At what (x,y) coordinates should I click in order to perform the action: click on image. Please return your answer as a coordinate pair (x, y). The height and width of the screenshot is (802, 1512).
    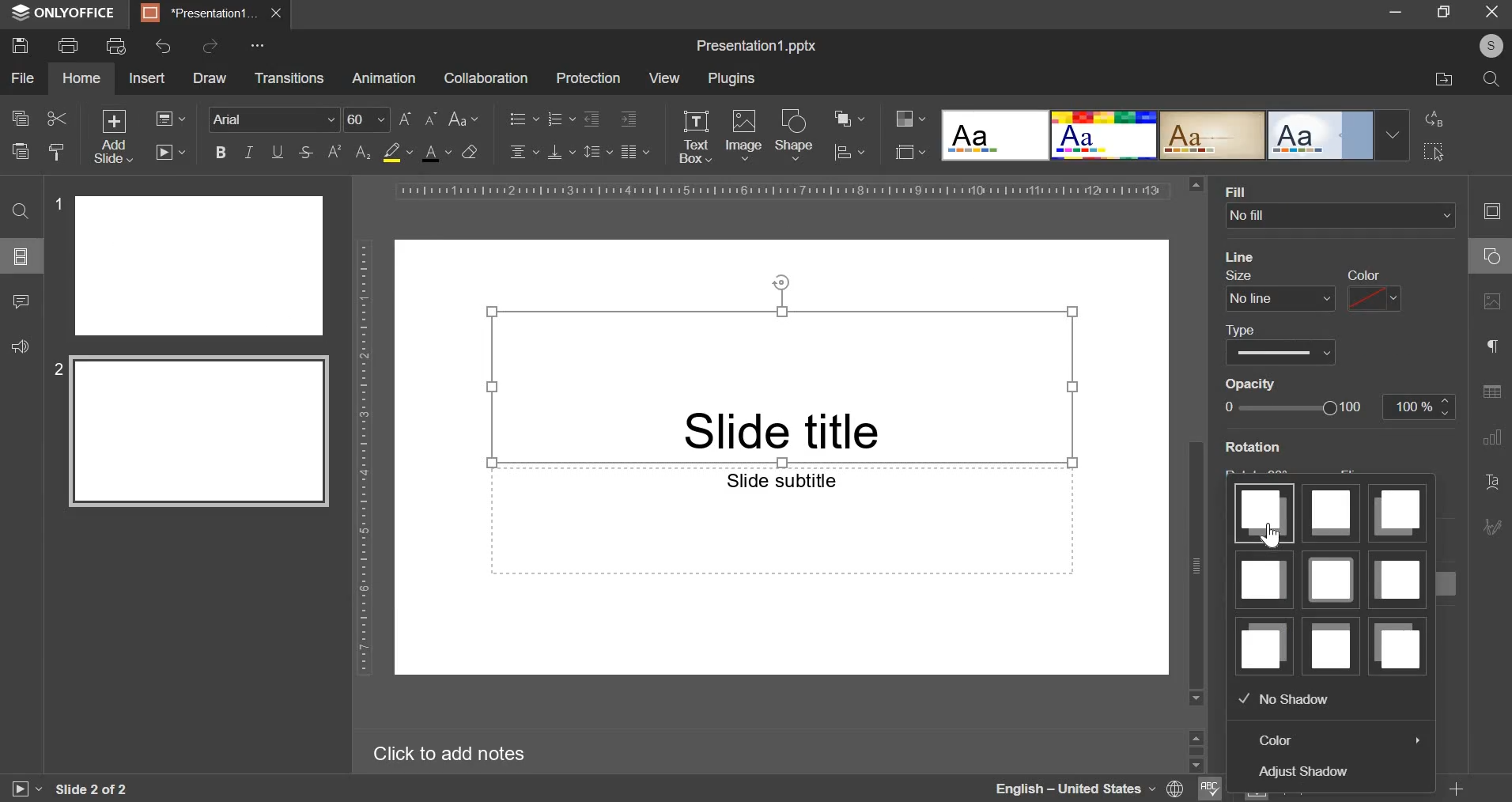
    Looking at the image, I should click on (744, 133).